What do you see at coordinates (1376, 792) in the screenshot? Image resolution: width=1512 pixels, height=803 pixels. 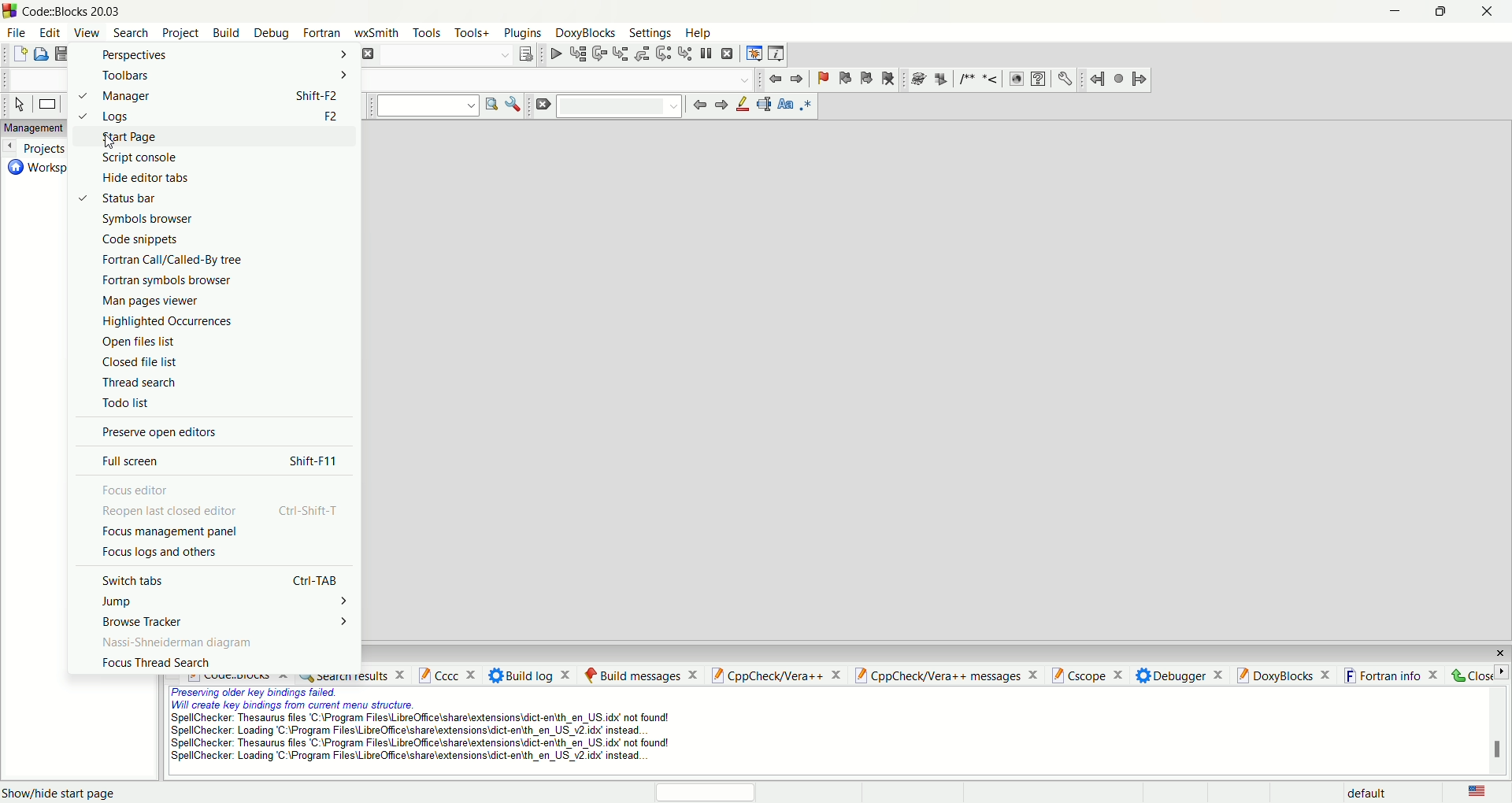 I see `default` at bounding box center [1376, 792].